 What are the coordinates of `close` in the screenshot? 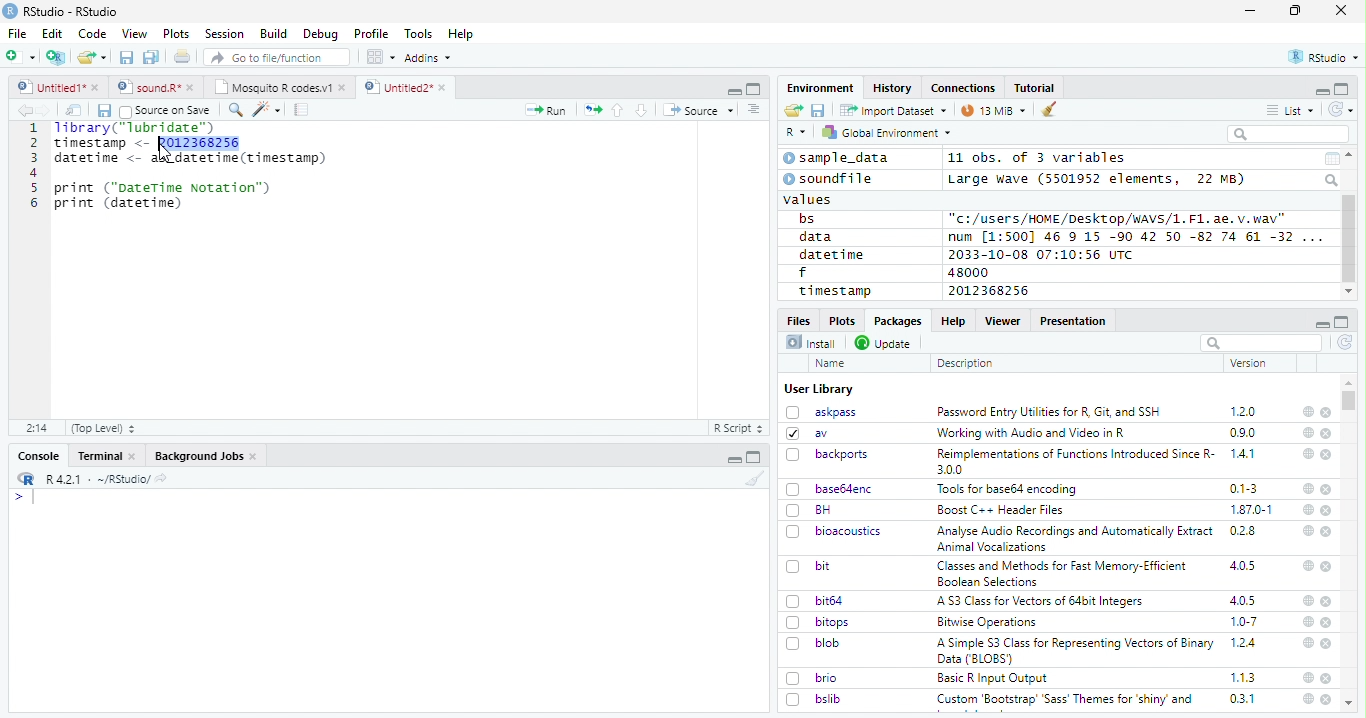 It's located at (1326, 699).